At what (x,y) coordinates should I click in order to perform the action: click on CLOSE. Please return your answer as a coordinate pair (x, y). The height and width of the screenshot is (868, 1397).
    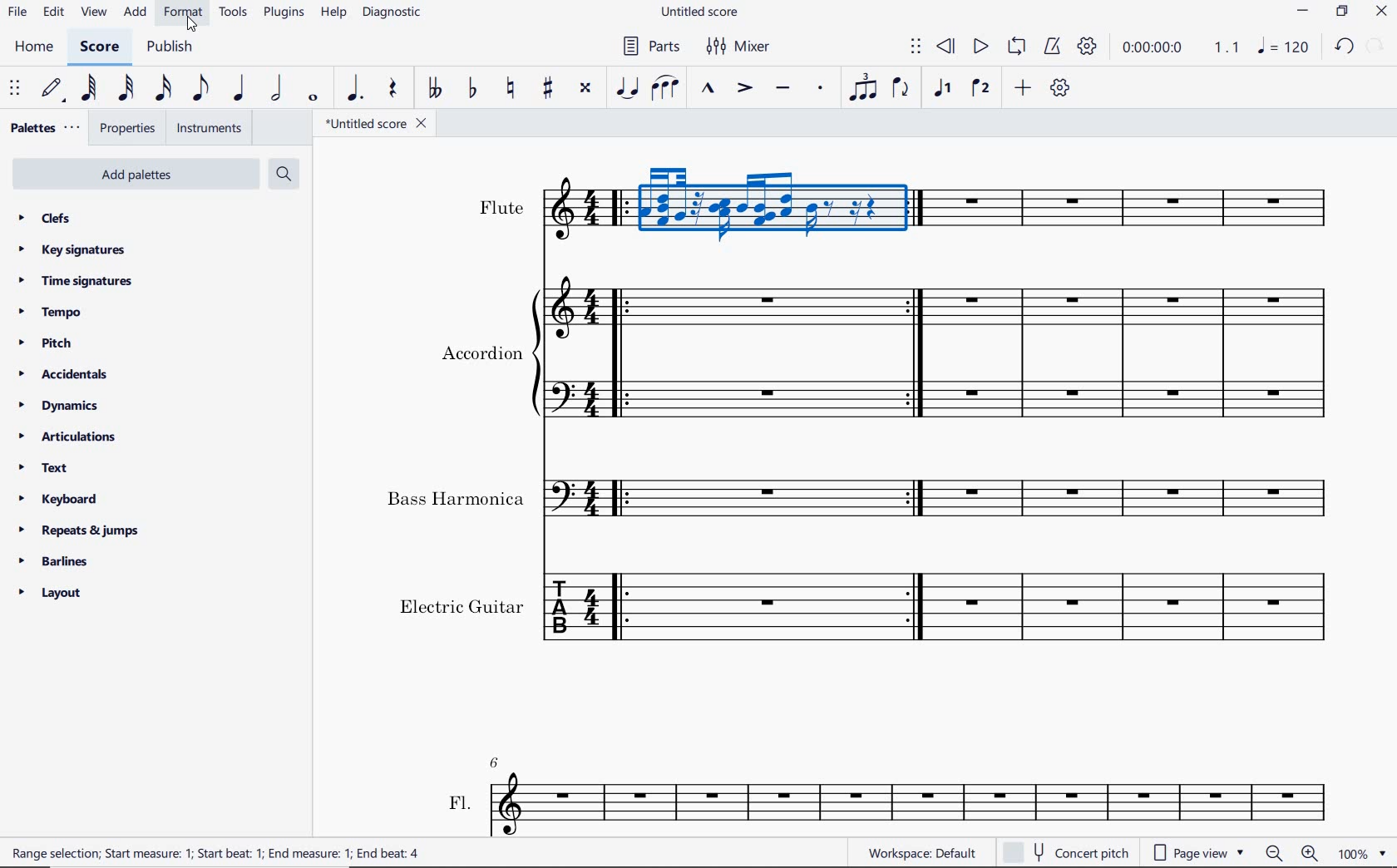
    Looking at the image, I should click on (1381, 12).